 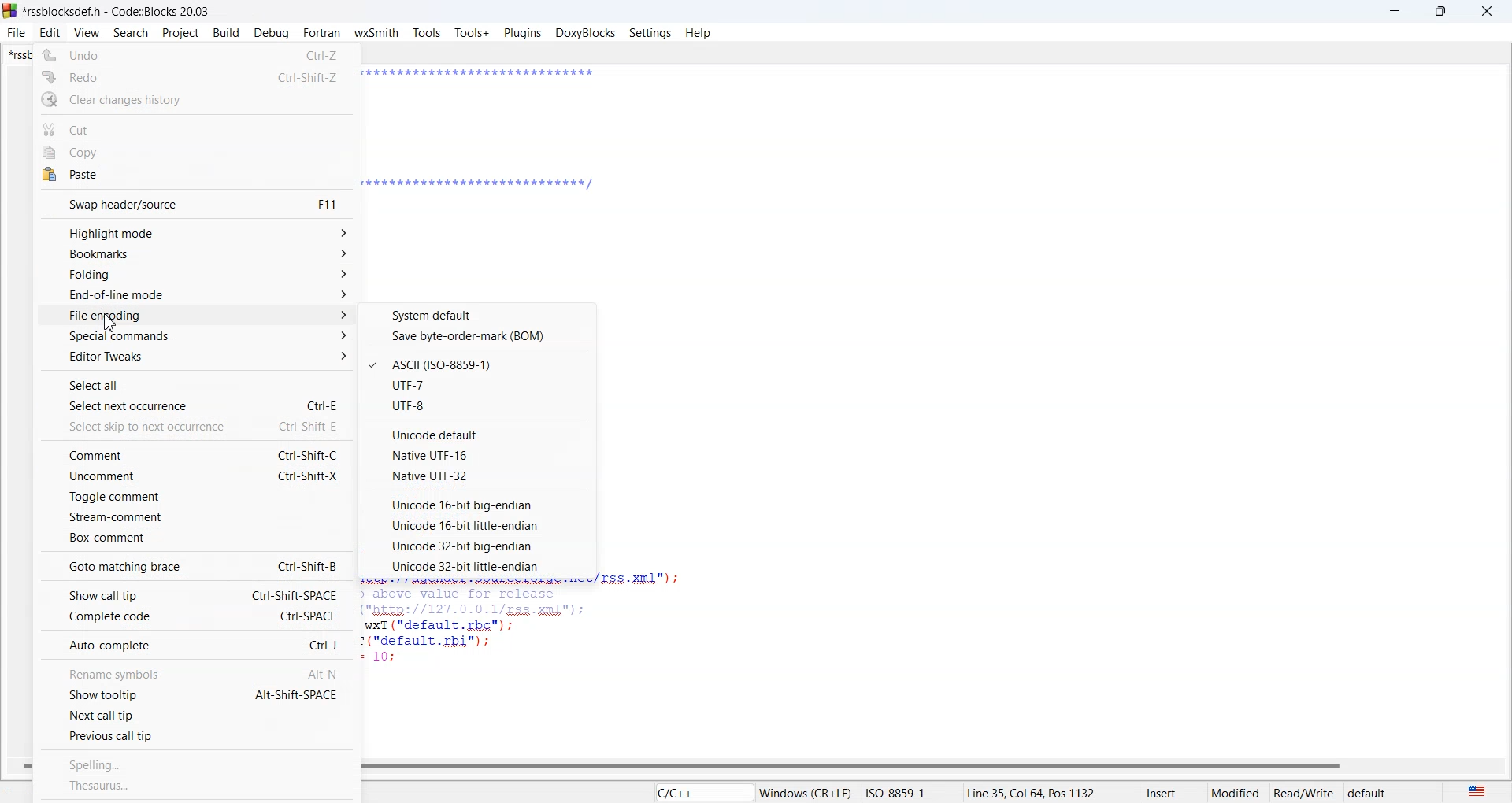 What do you see at coordinates (479, 336) in the screenshot?
I see `Save byte-order-mark` at bounding box center [479, 336].